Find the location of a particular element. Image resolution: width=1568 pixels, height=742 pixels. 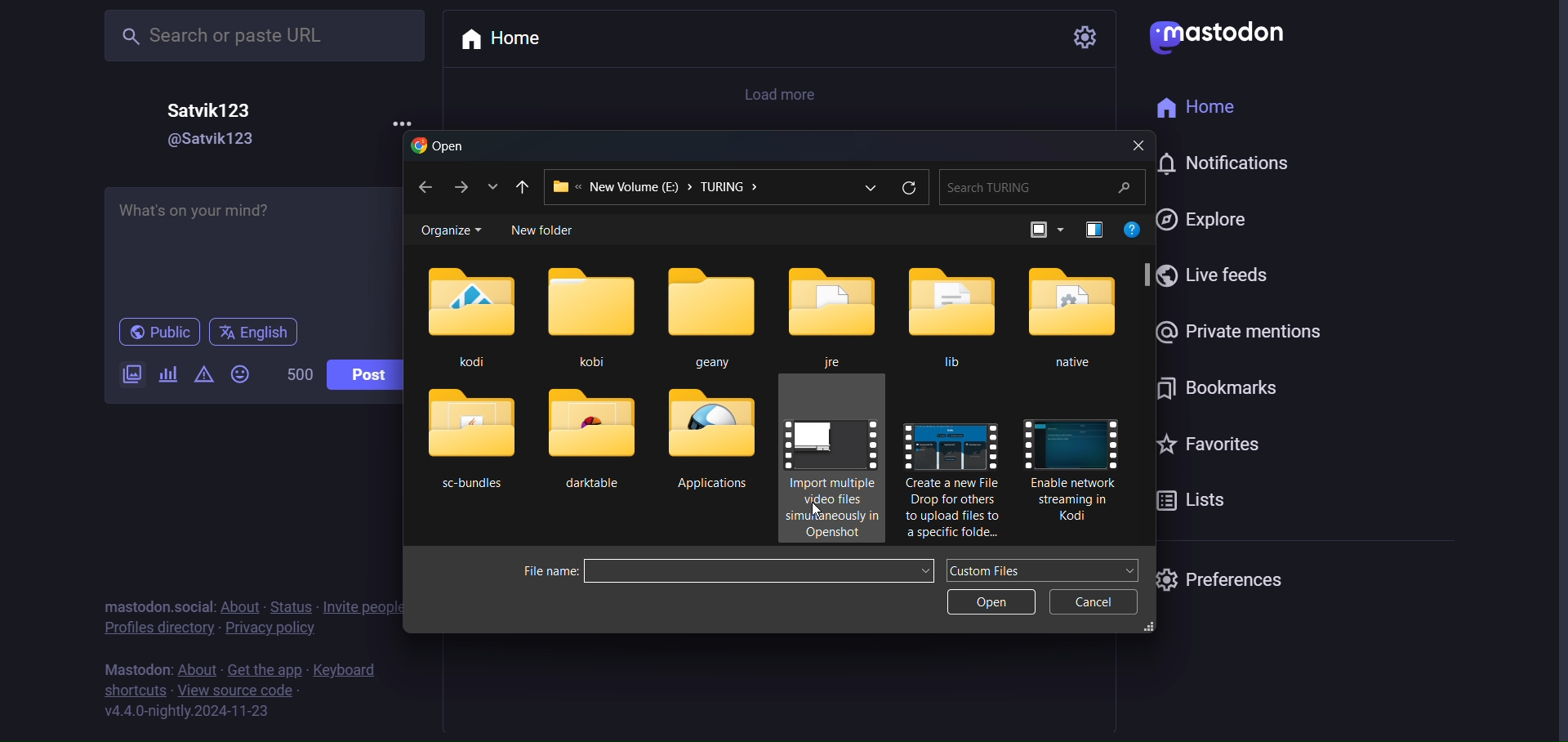

post is located at coordinates (364, 375).